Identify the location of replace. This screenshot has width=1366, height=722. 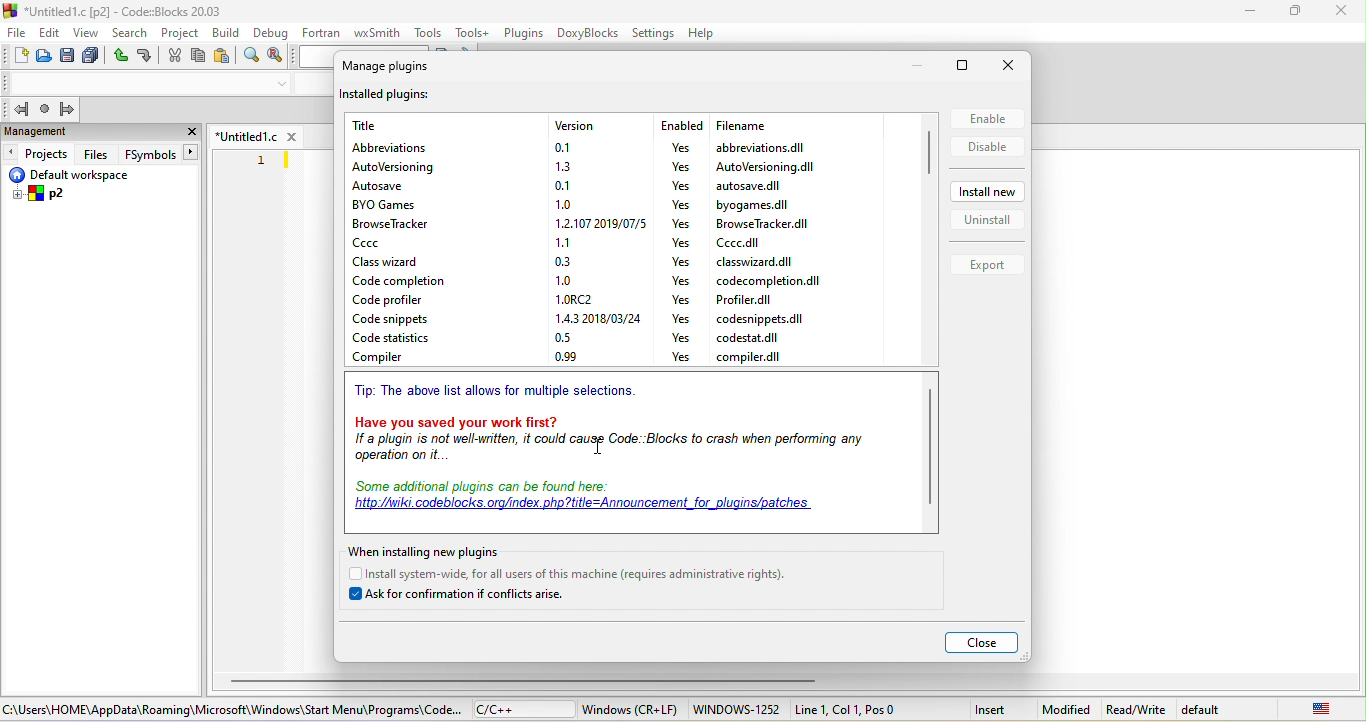
(277, 58).